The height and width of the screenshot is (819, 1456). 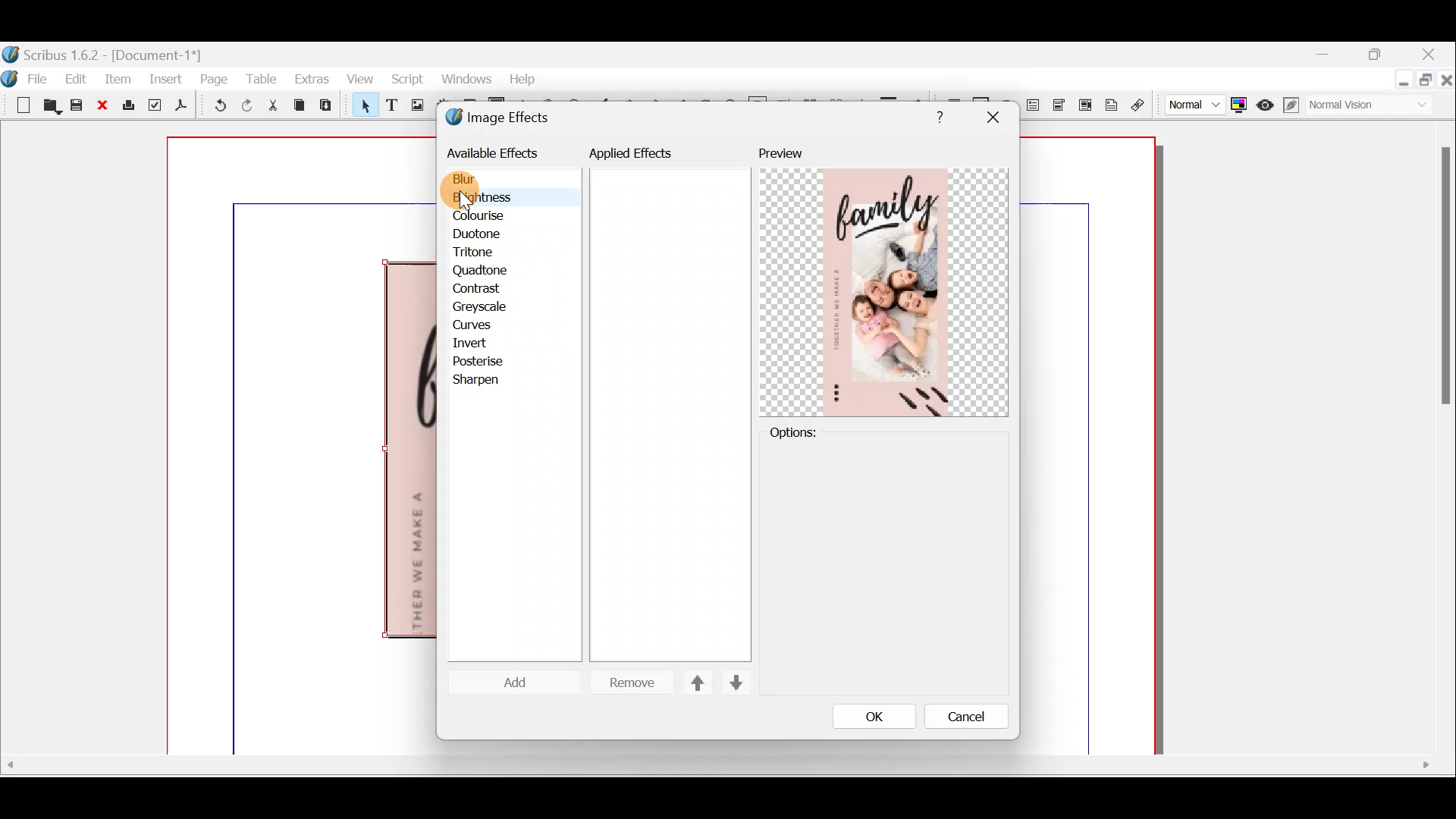 What do you see at coordinates (734, 682) in the screenshot?
I see `Move down` at bounding box center [734, 682].